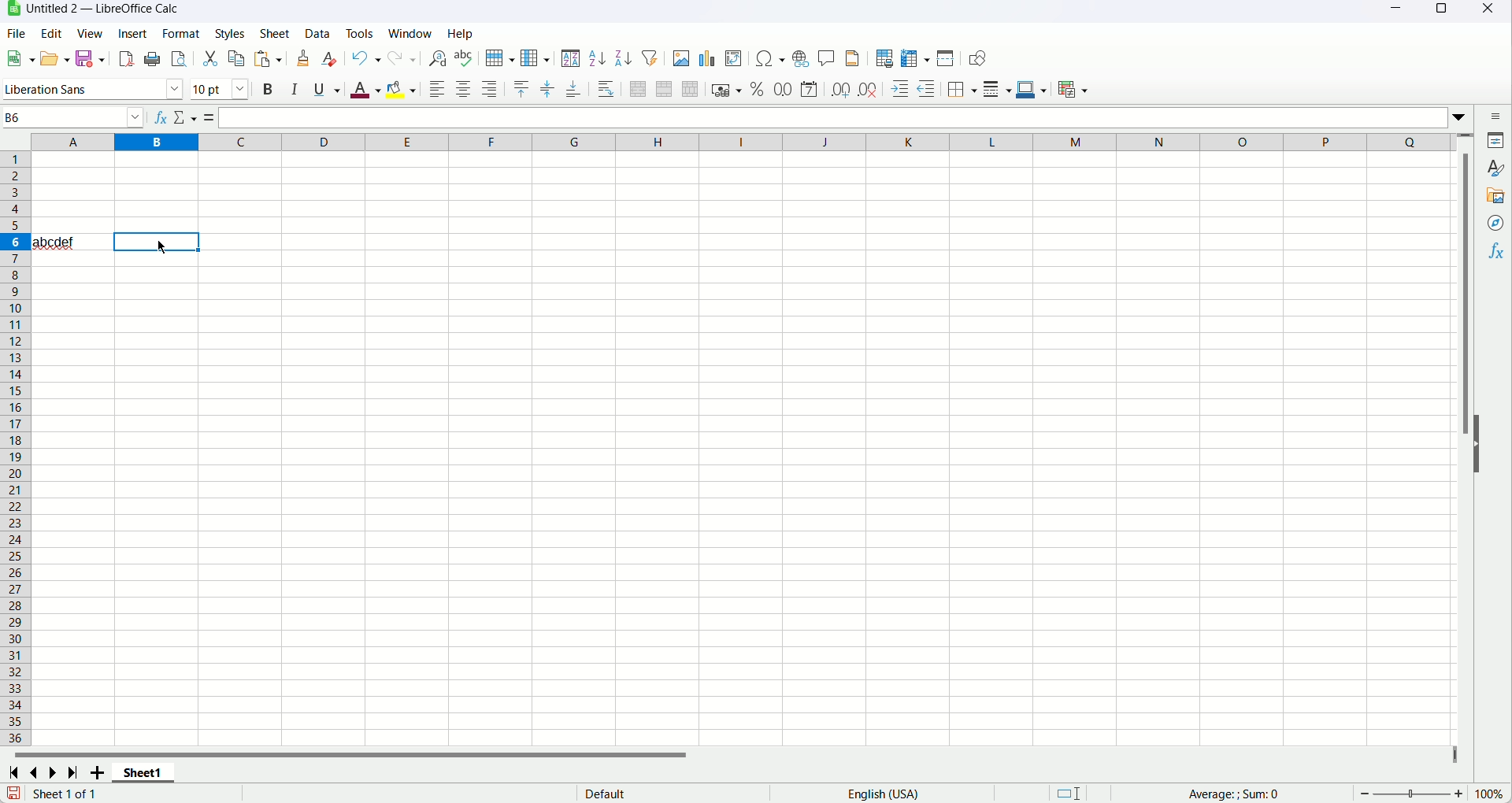 The height and width of the screenshot is (803, 1512). Describe the element at coordinates (74, 117) in the screenshot. I see `active cell B6` at that location.